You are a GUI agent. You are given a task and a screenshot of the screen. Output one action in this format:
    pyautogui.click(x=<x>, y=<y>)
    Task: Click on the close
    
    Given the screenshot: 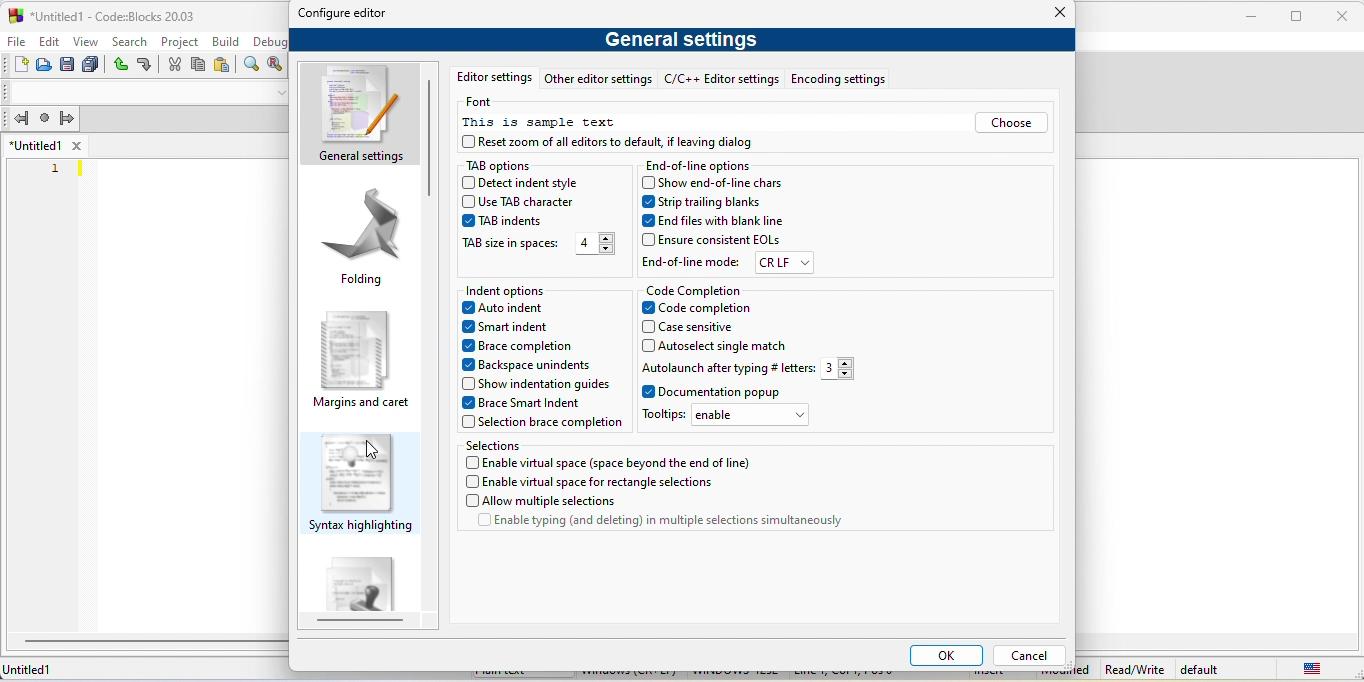 What is the action you would take?
    pyautogui.click(x=1341, y=17)
    